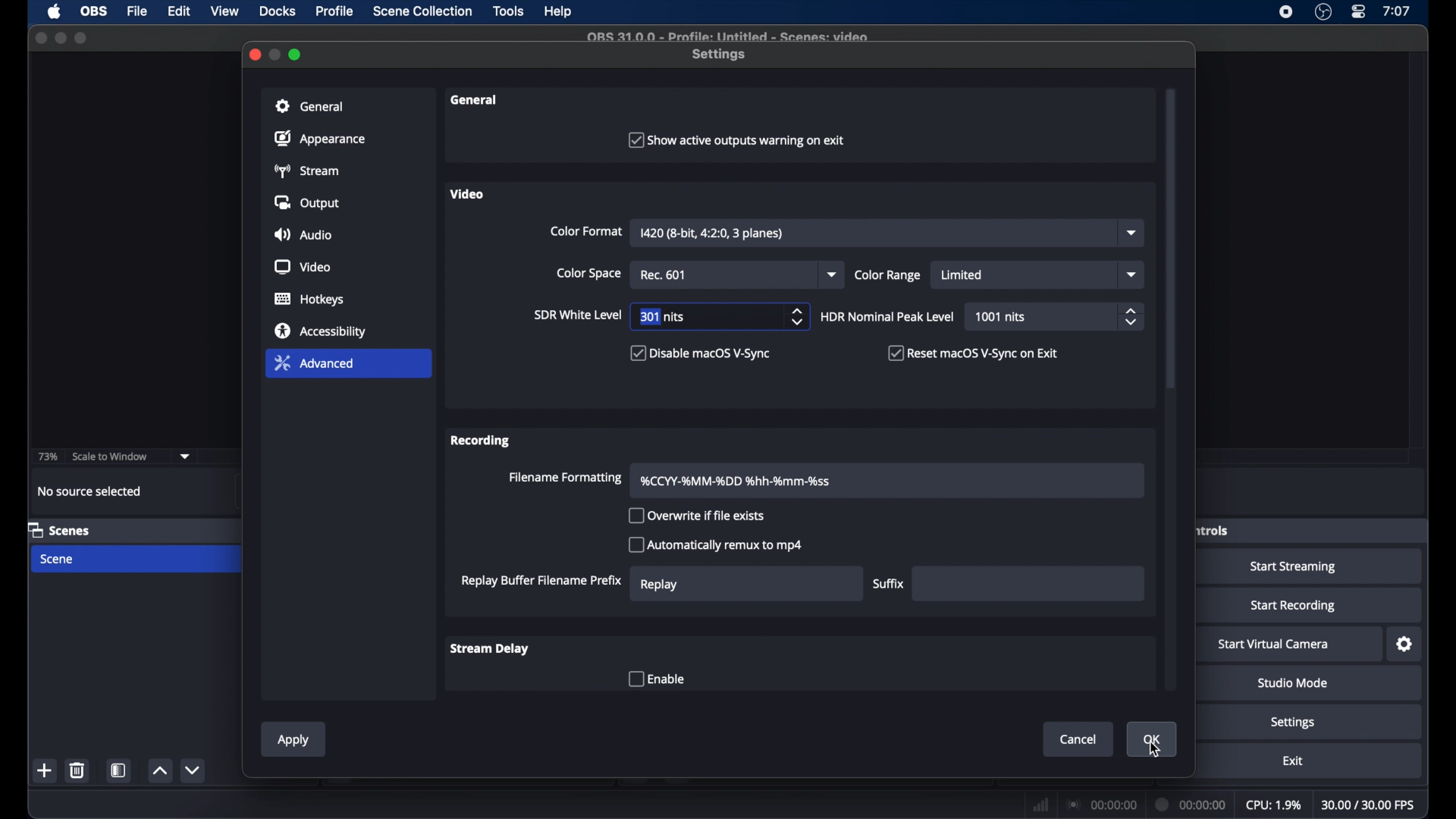 The width and height of the screenshot is (1456, 819). I want to click on studio mode, so click(1294, 683).